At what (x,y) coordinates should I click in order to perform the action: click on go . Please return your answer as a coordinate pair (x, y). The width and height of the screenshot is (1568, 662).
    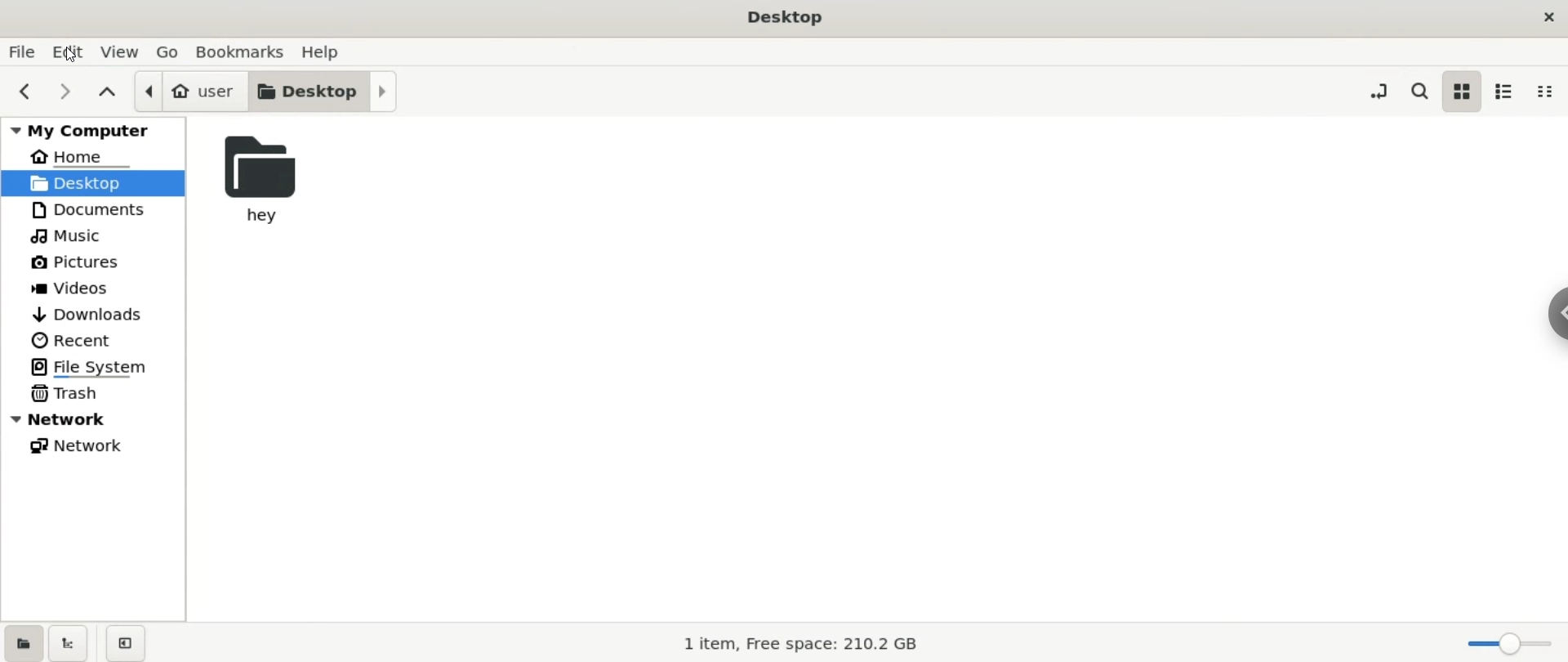
    Looking at the image, I should click on (168, 52).